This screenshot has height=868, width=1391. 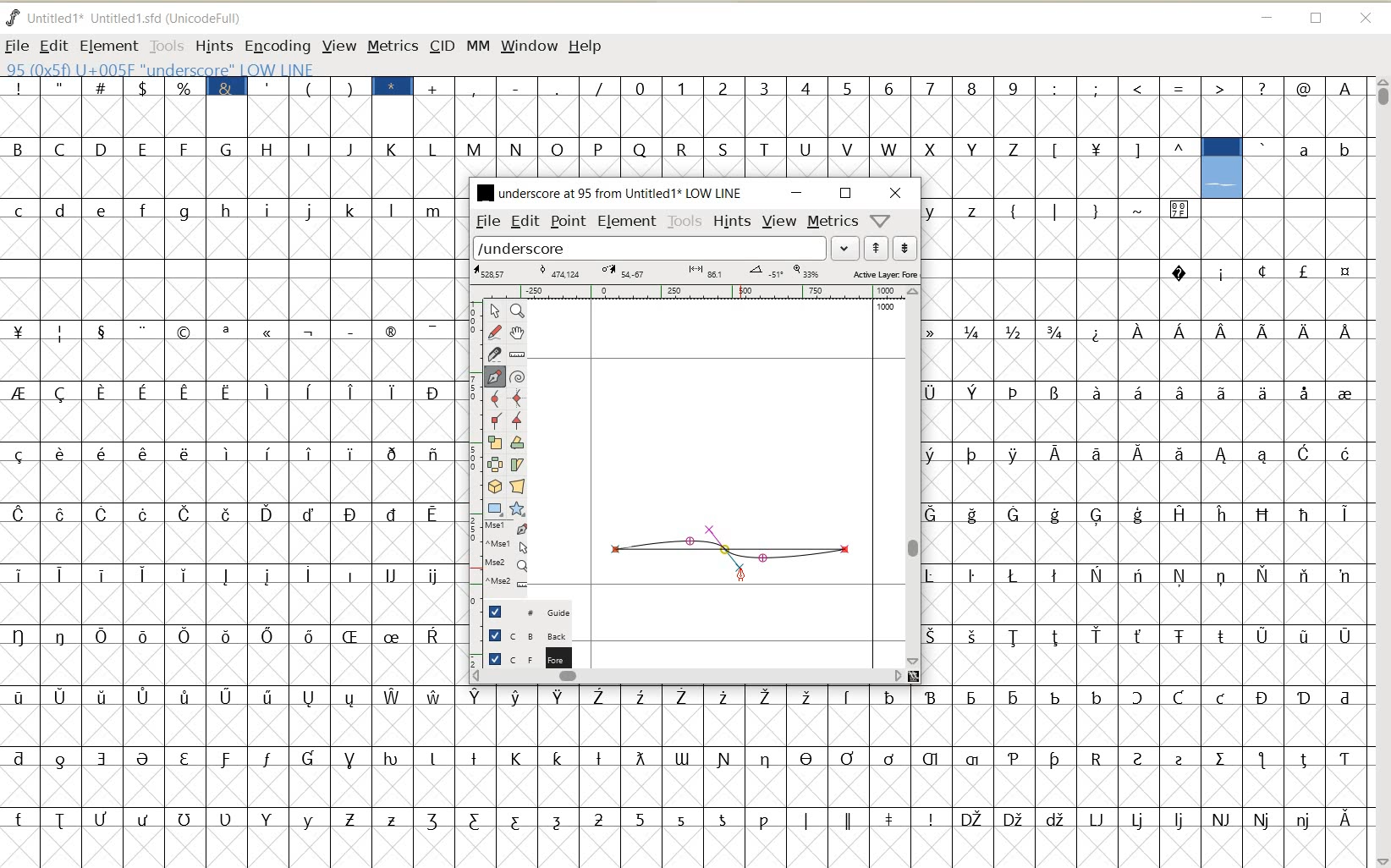 What do you see at coordinates (476, 45) in the screenshot?
I see `MM` at bounding box center [476, 45].